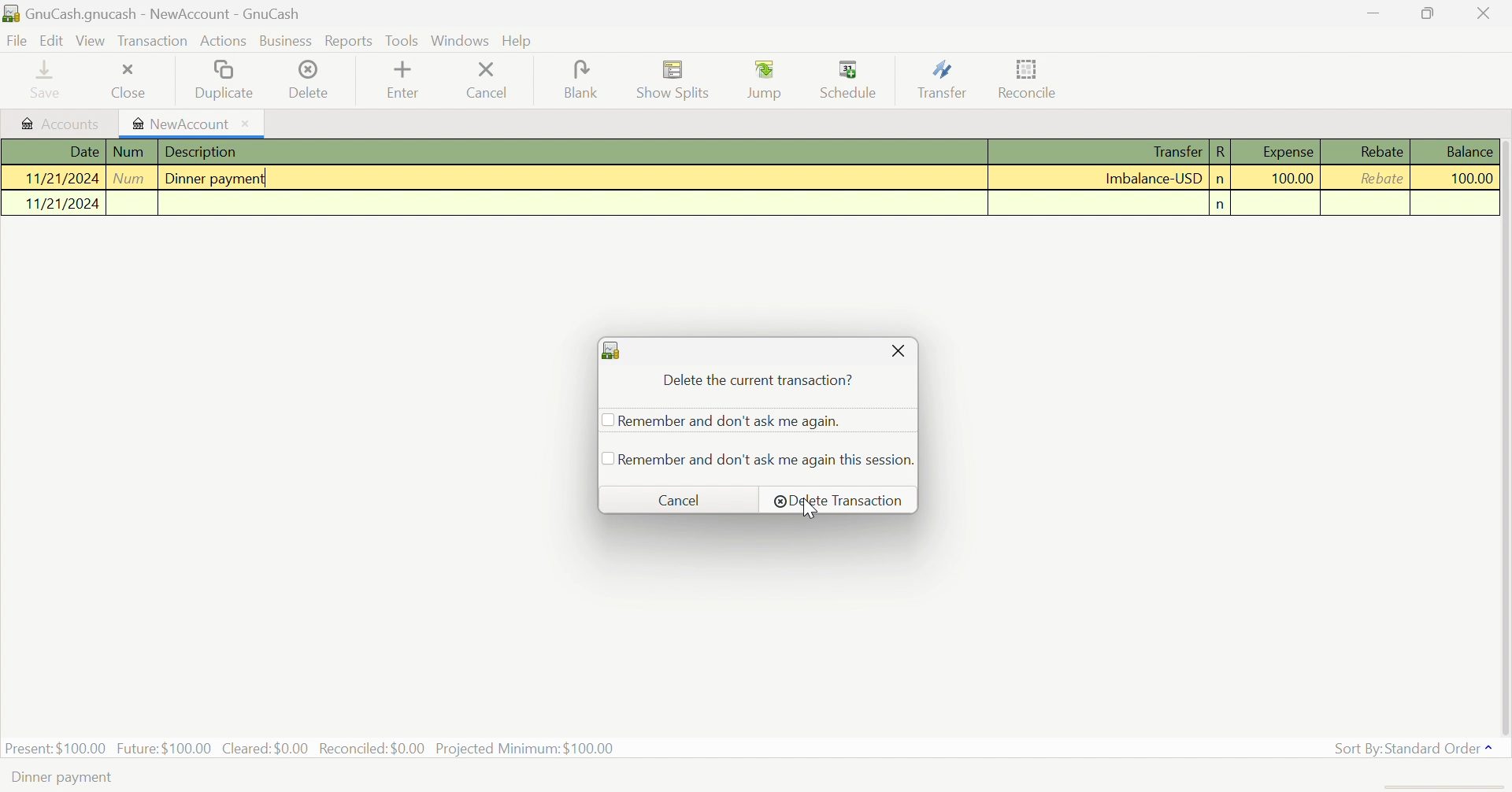 The height and width of the screenshot is (792, 1512). What do you see at coordinates (1031, 78) in the screenshot?
I see `Reconcile` at bounding box center [1031, 78].